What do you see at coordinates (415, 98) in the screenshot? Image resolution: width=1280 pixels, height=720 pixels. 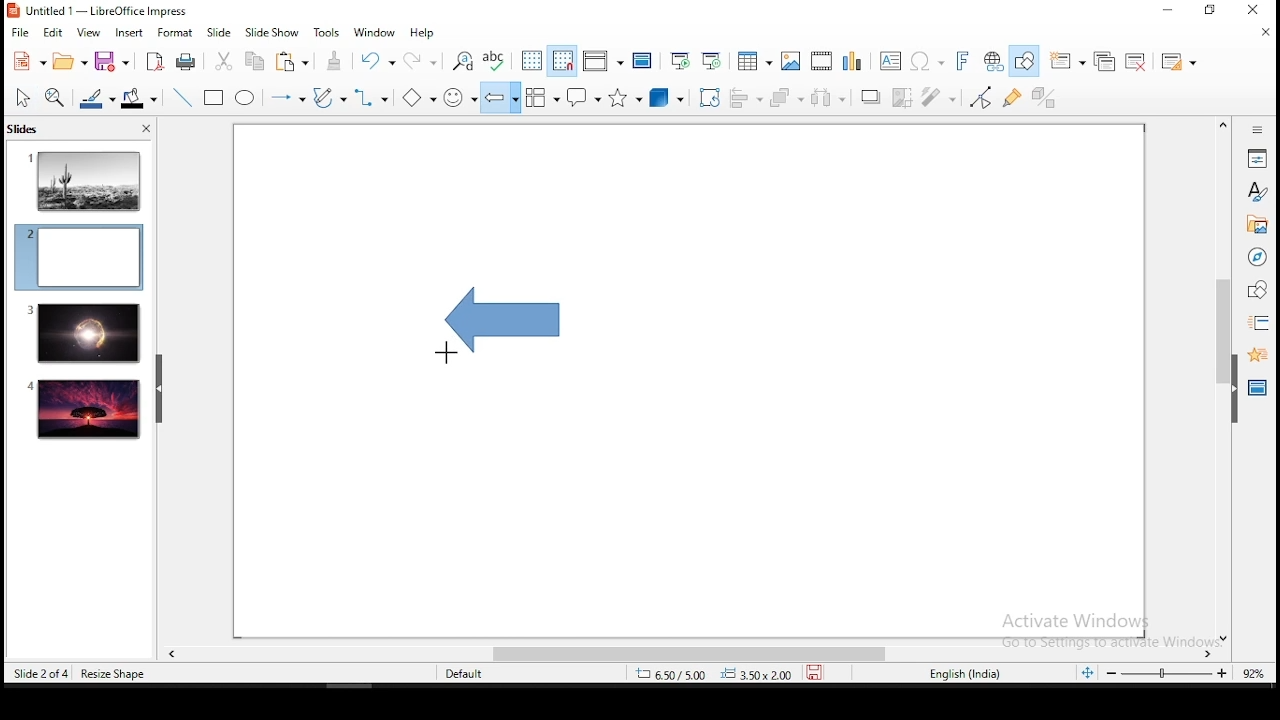 I see `basic shapes` at bounding box center [415, 98].